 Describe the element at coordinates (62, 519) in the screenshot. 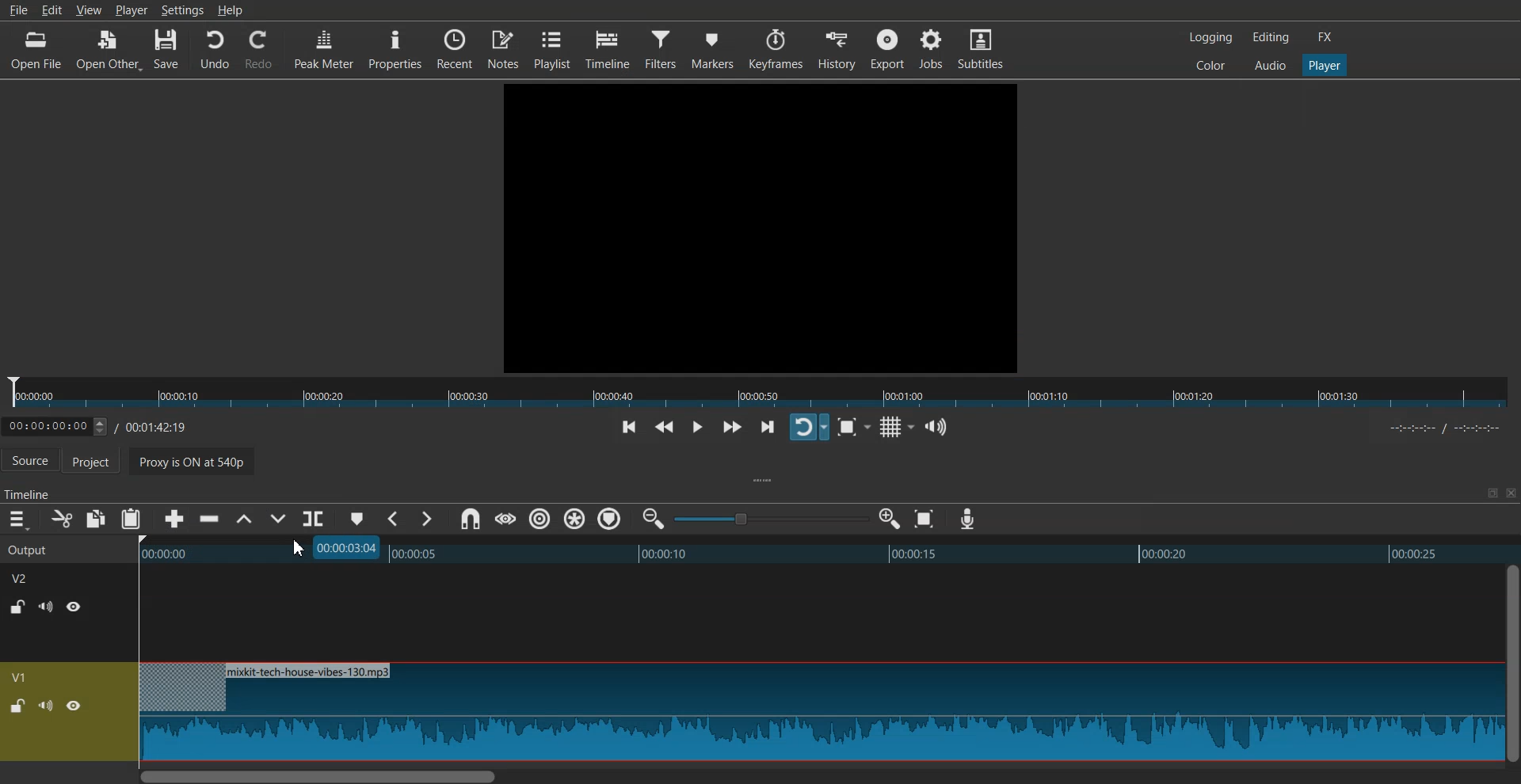

I see `Cut` at that location.